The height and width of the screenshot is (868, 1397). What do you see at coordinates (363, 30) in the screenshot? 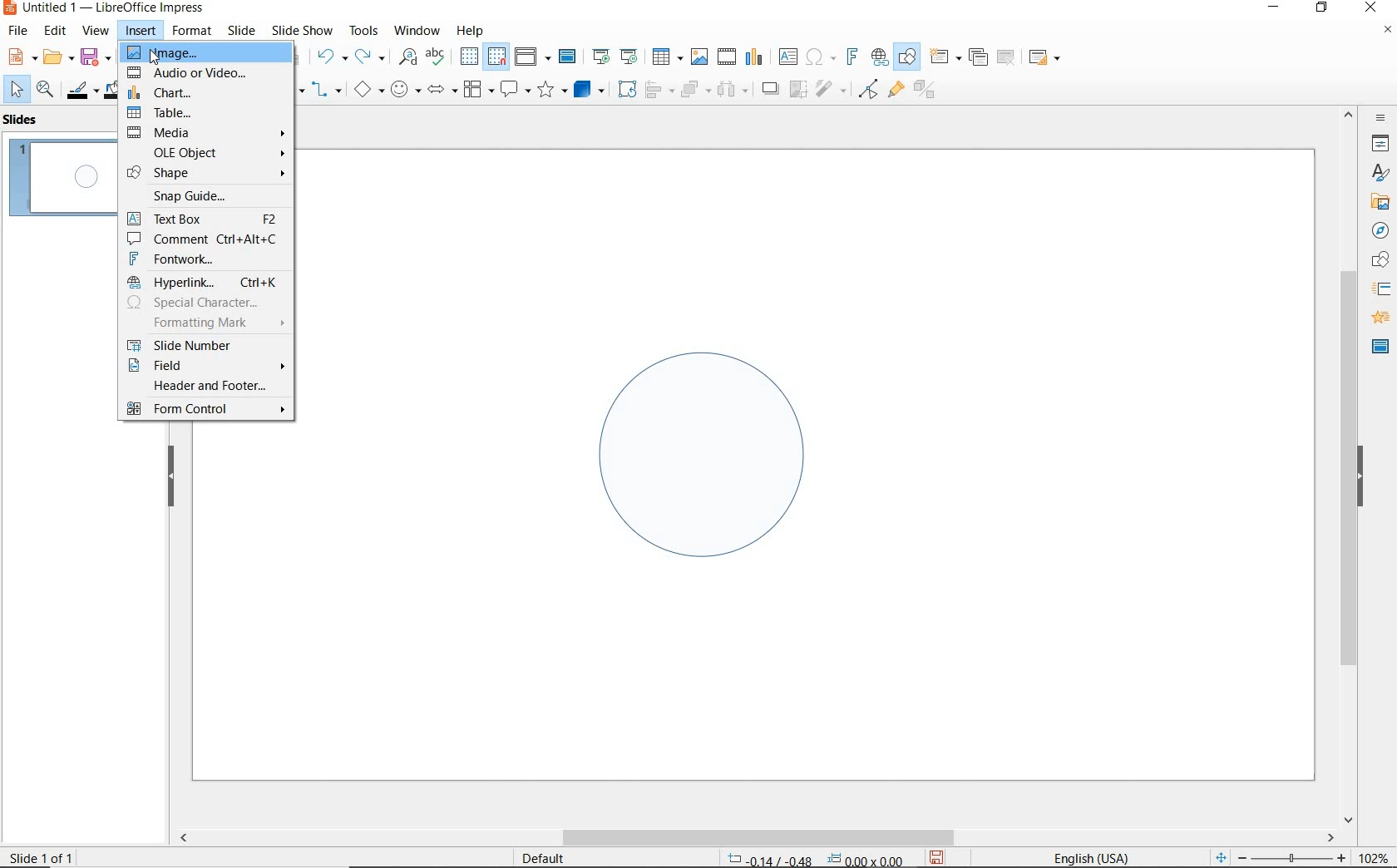
I see `tools` at bounding box center [363, 30].